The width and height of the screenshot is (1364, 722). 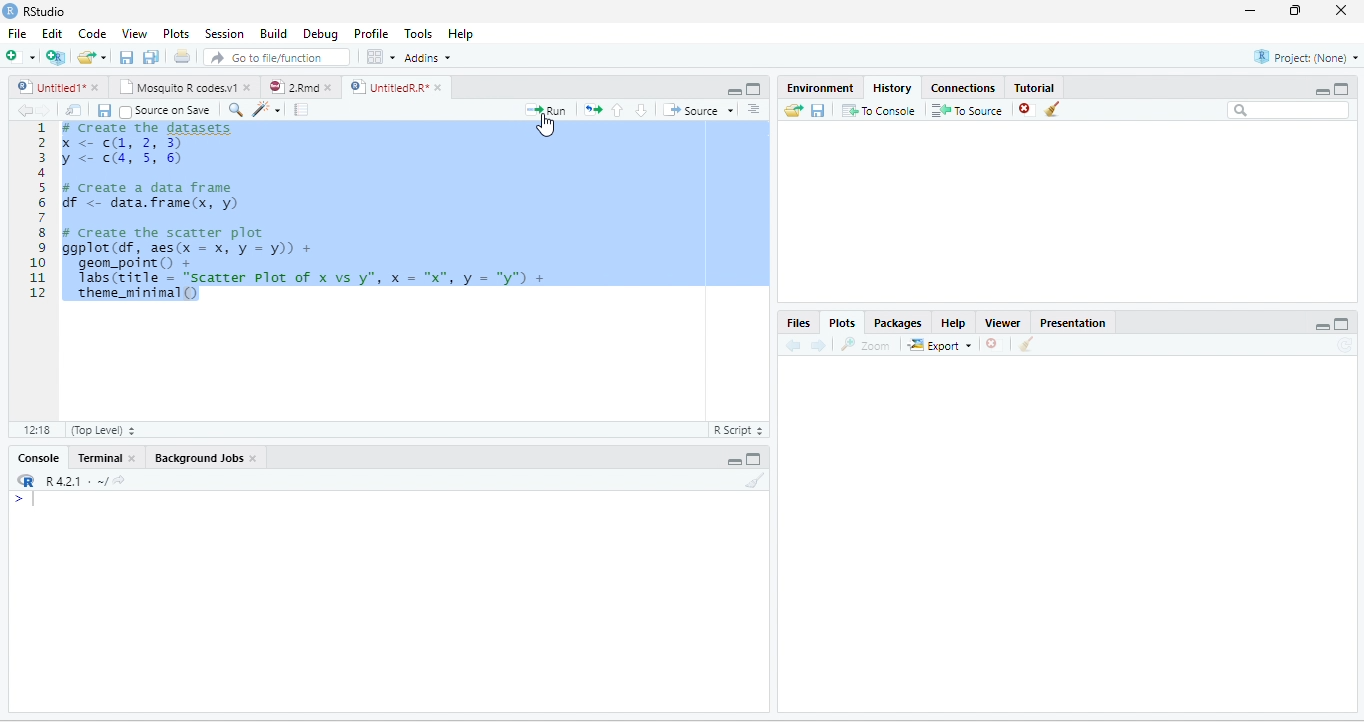 What do you see at coordinates (57, 55) in the screenshot?
I see `Create a project` at bounding box center [57, 55].